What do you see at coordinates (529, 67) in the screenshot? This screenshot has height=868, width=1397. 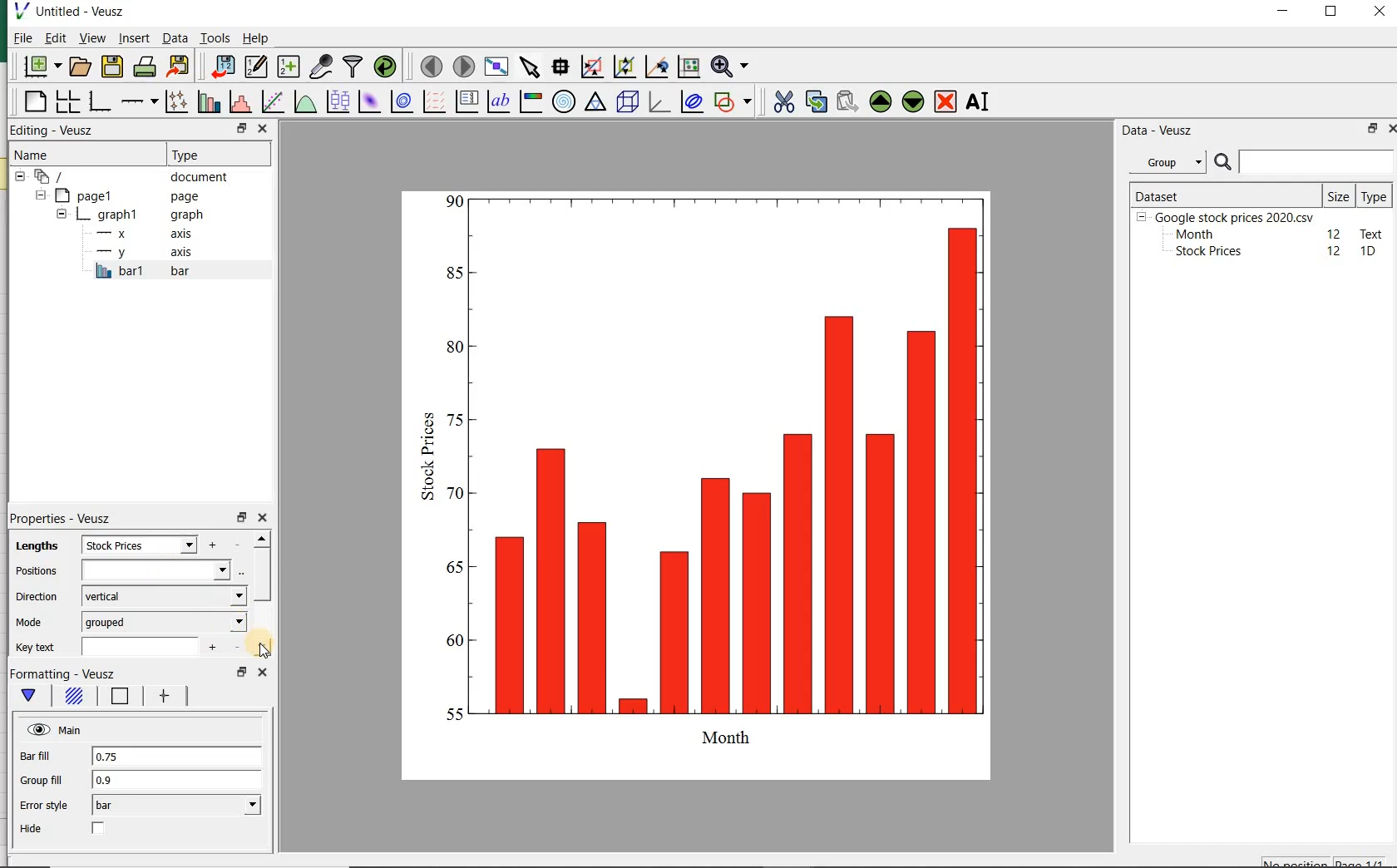 I see `select items from the graph or scroll` at bounding box center [529, 67].